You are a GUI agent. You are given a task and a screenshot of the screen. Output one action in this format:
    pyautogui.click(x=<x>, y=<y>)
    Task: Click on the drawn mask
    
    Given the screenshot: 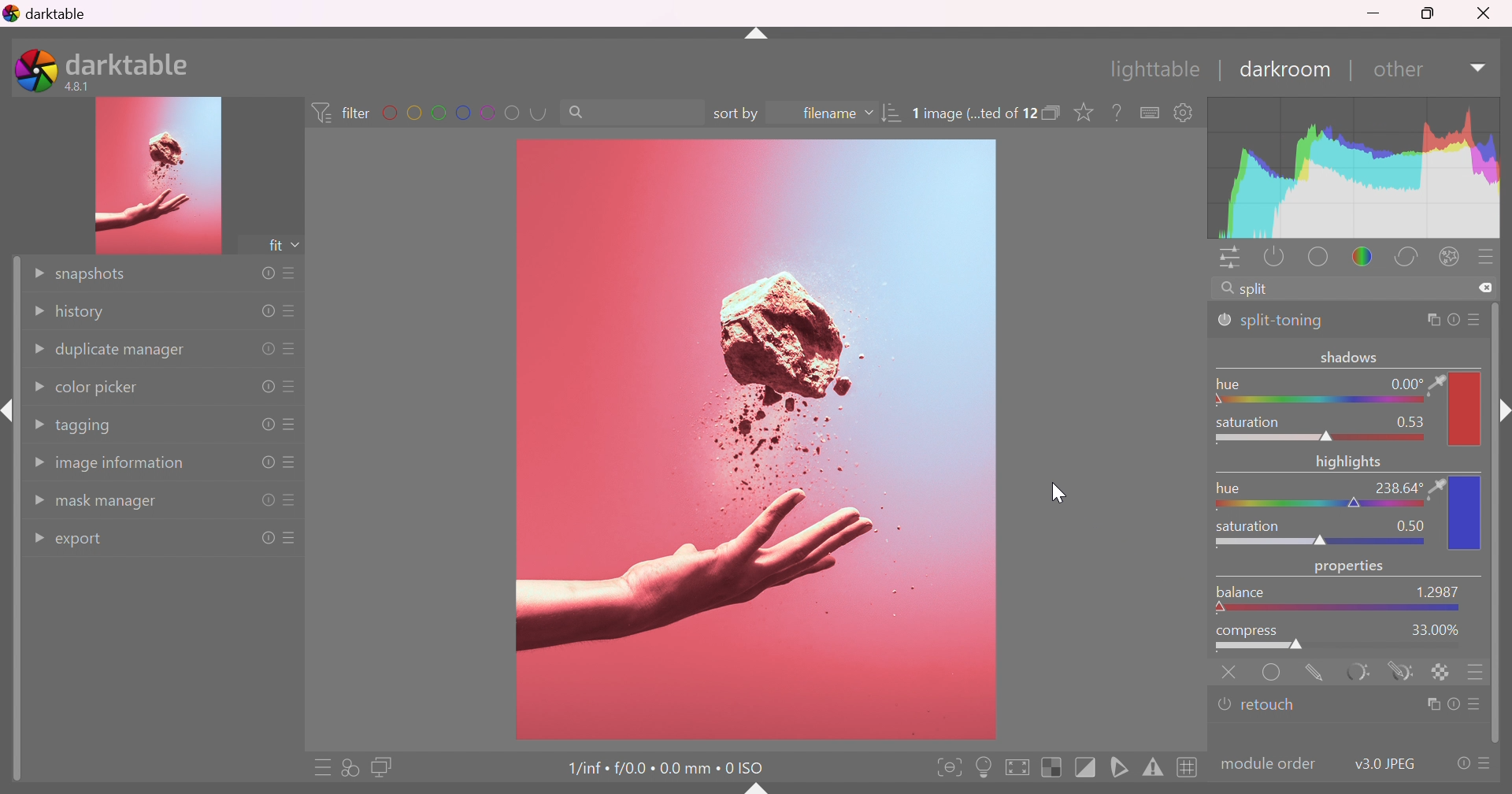 What is the action you would take?
    pyautogui.click(x=1319, y=676)
    